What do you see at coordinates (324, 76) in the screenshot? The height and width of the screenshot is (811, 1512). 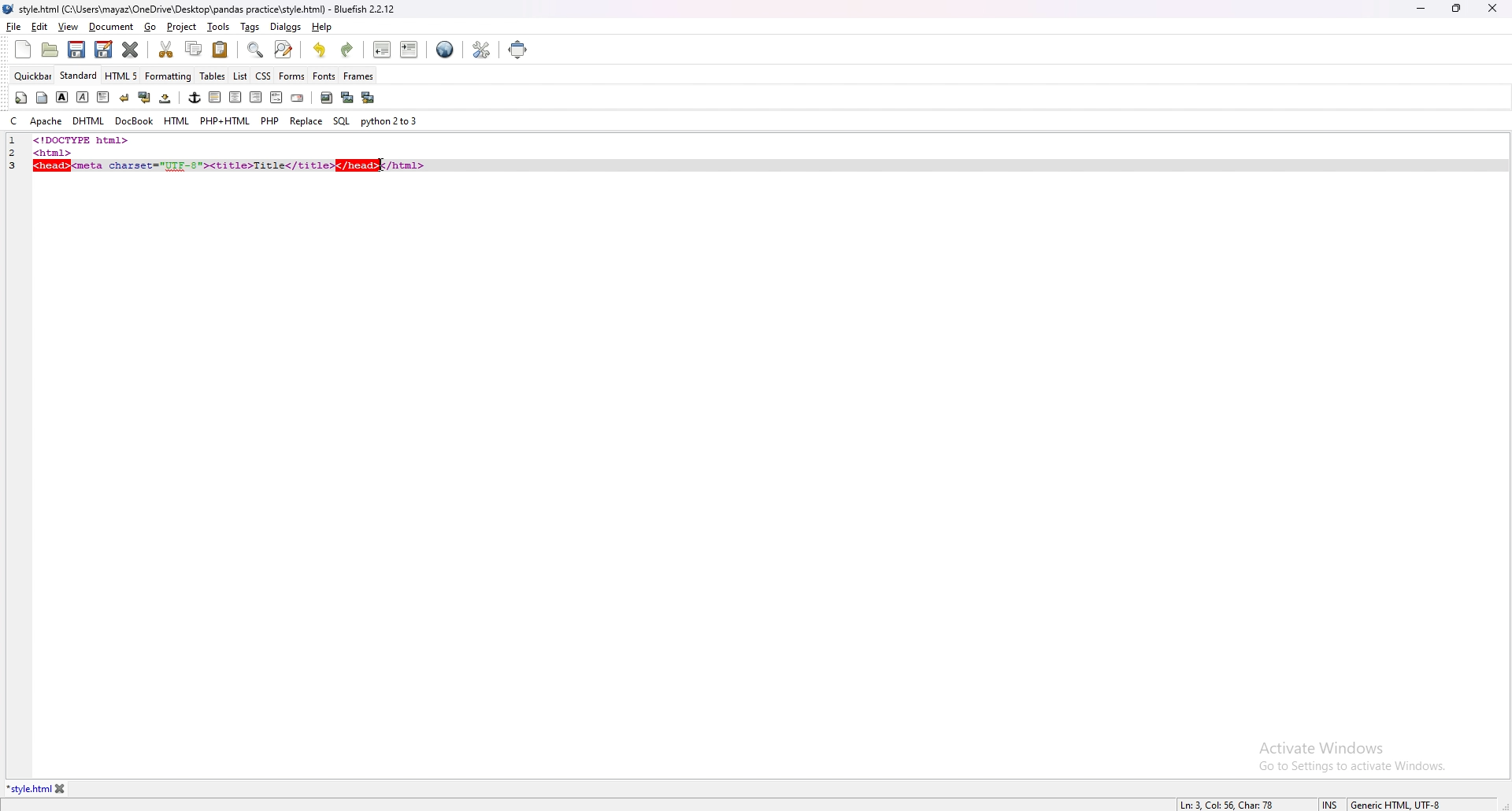 I see `fonts` at bounding box center [324, 76].